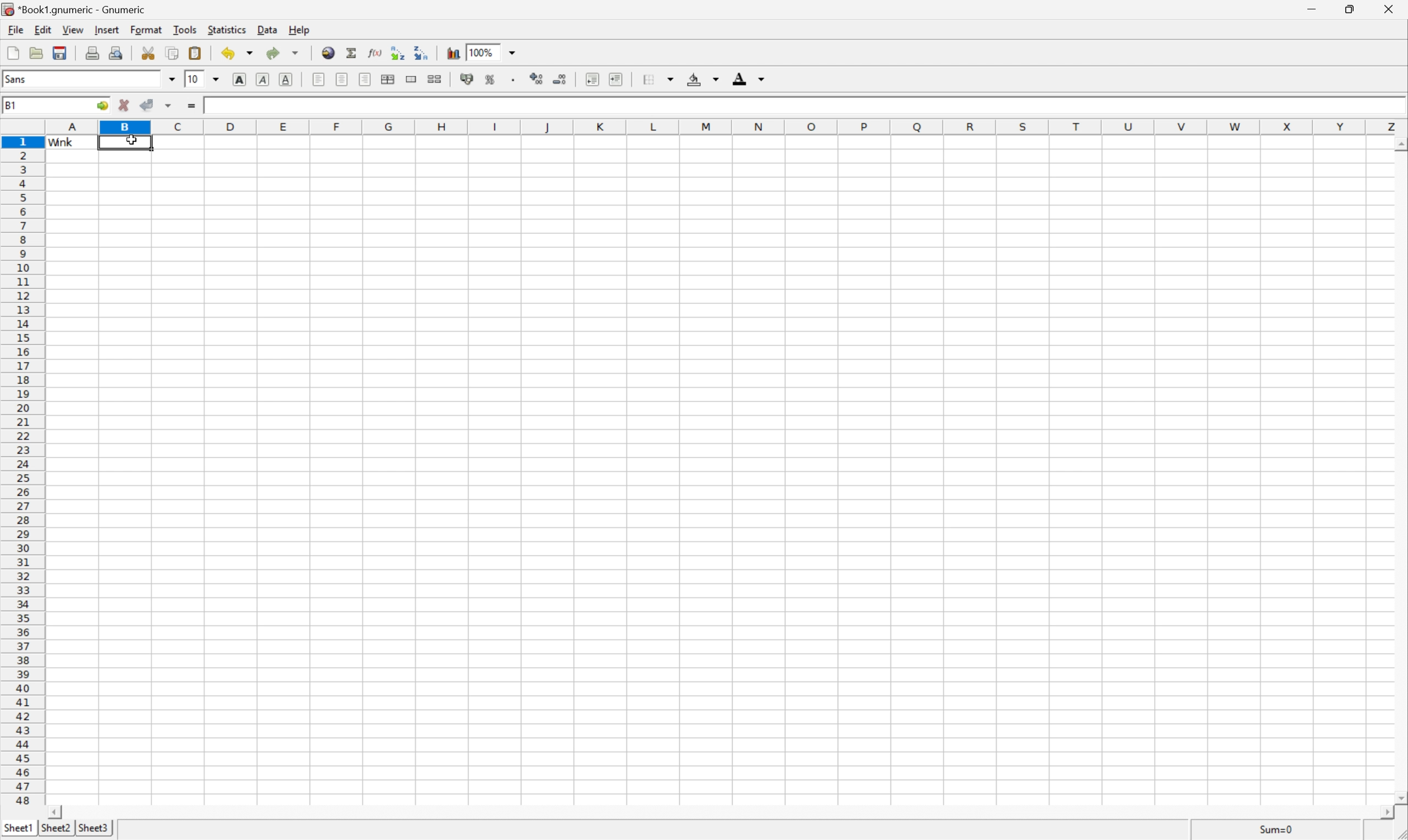  What do you see at coordinates (172, 79) in the screenshot?
I see `drop down` at bounding box center [172, 79].